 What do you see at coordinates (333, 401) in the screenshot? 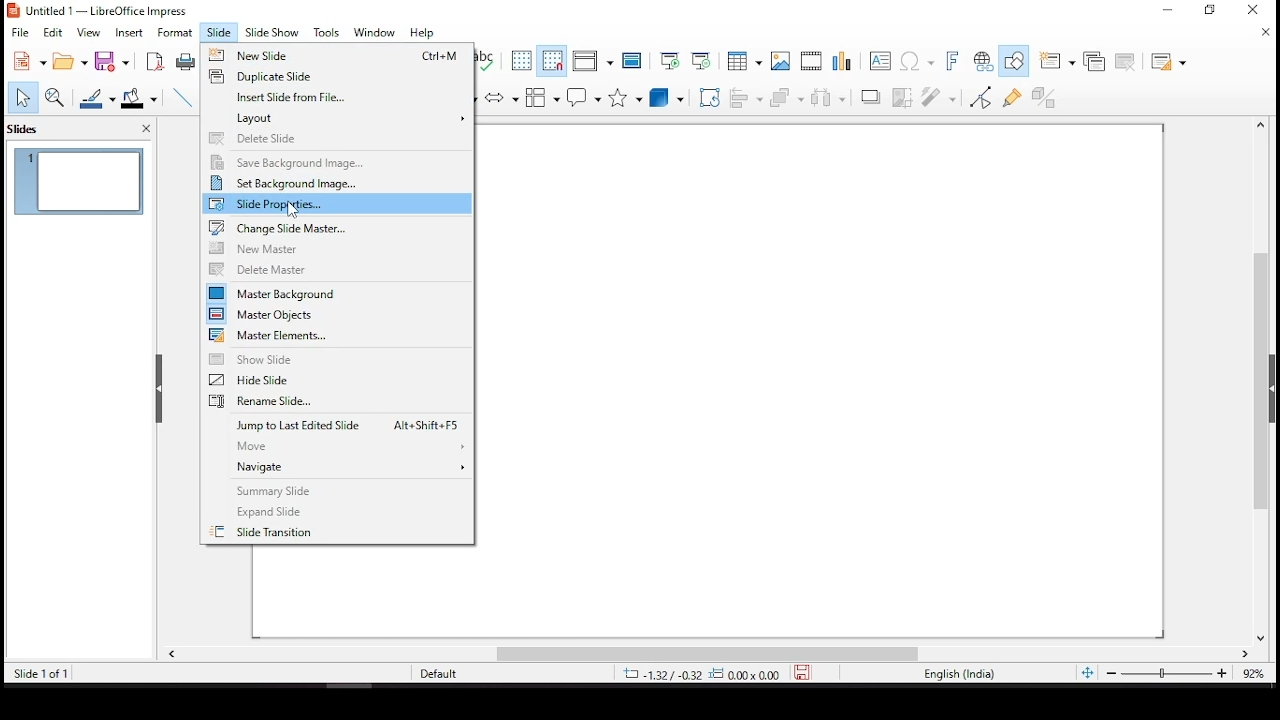
I see `rename slide` at bounding box center [333, 401].